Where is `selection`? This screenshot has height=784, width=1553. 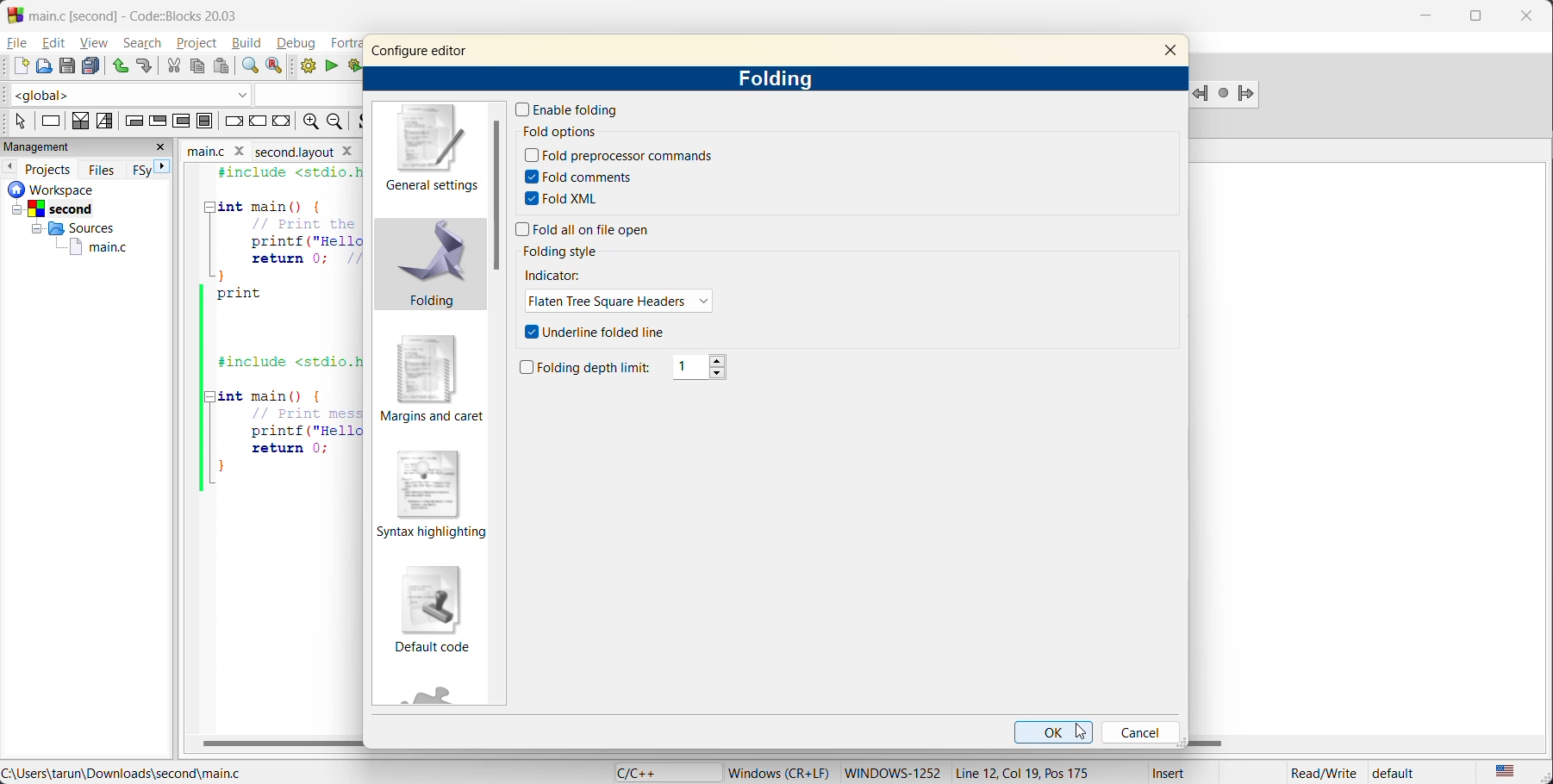
selection is located at coordinates (103, 121).